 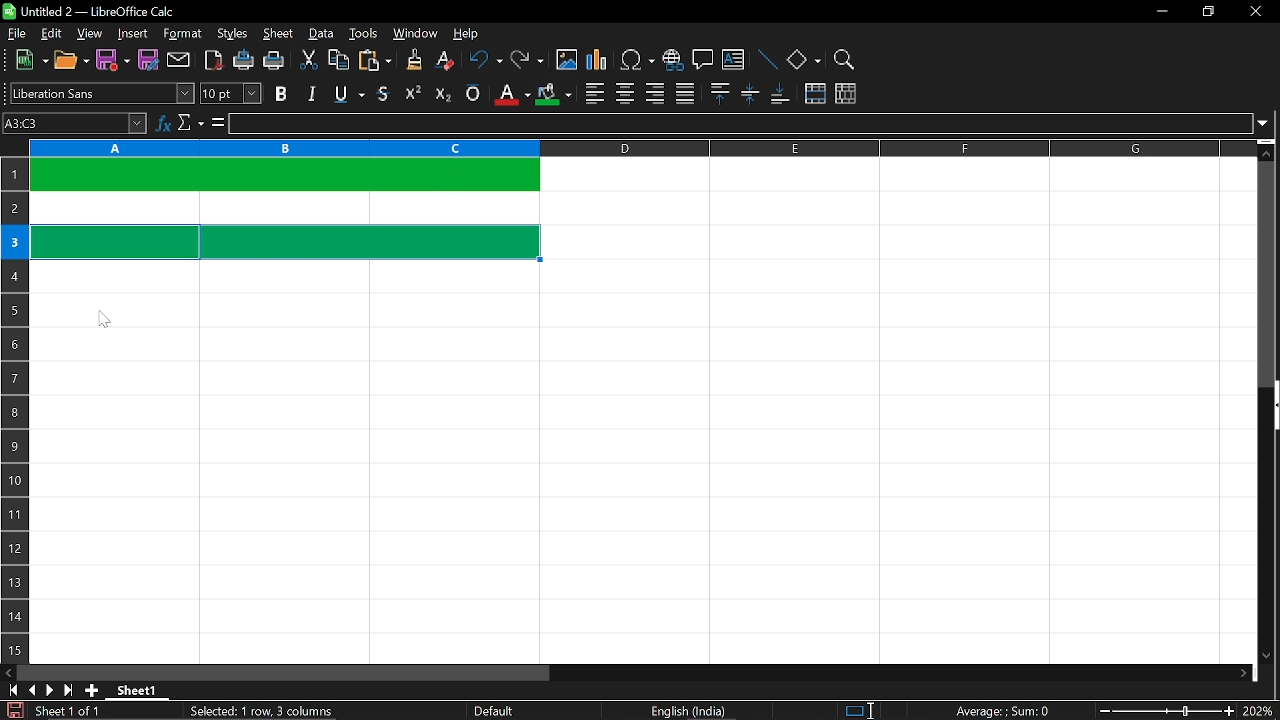 What do you see at coordinates (1162, 10) in the screenshot?
I see `minimize` at bounding box center [1162, 10].